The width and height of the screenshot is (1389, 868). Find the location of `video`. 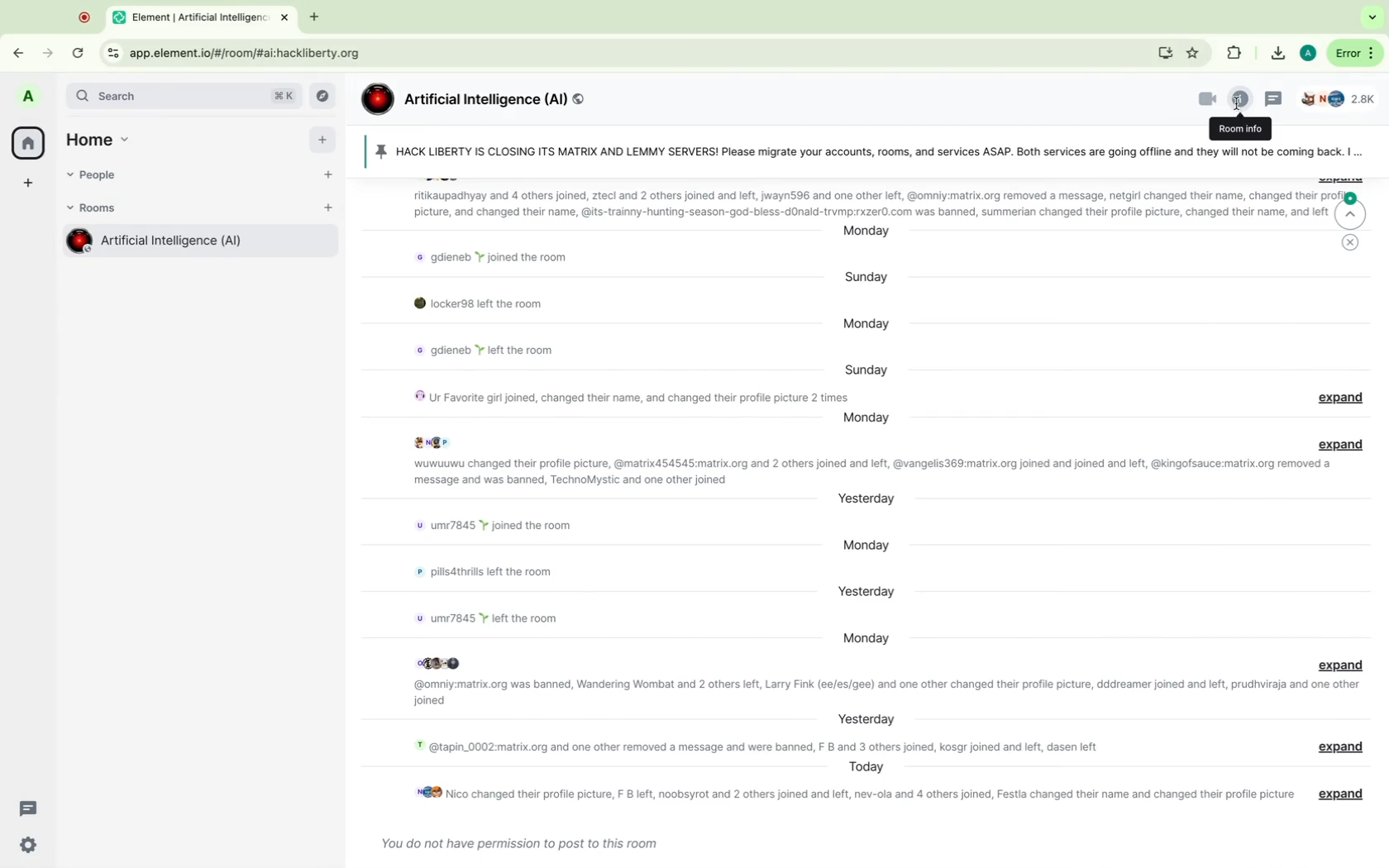

video is located at coordinates (1198, 100).